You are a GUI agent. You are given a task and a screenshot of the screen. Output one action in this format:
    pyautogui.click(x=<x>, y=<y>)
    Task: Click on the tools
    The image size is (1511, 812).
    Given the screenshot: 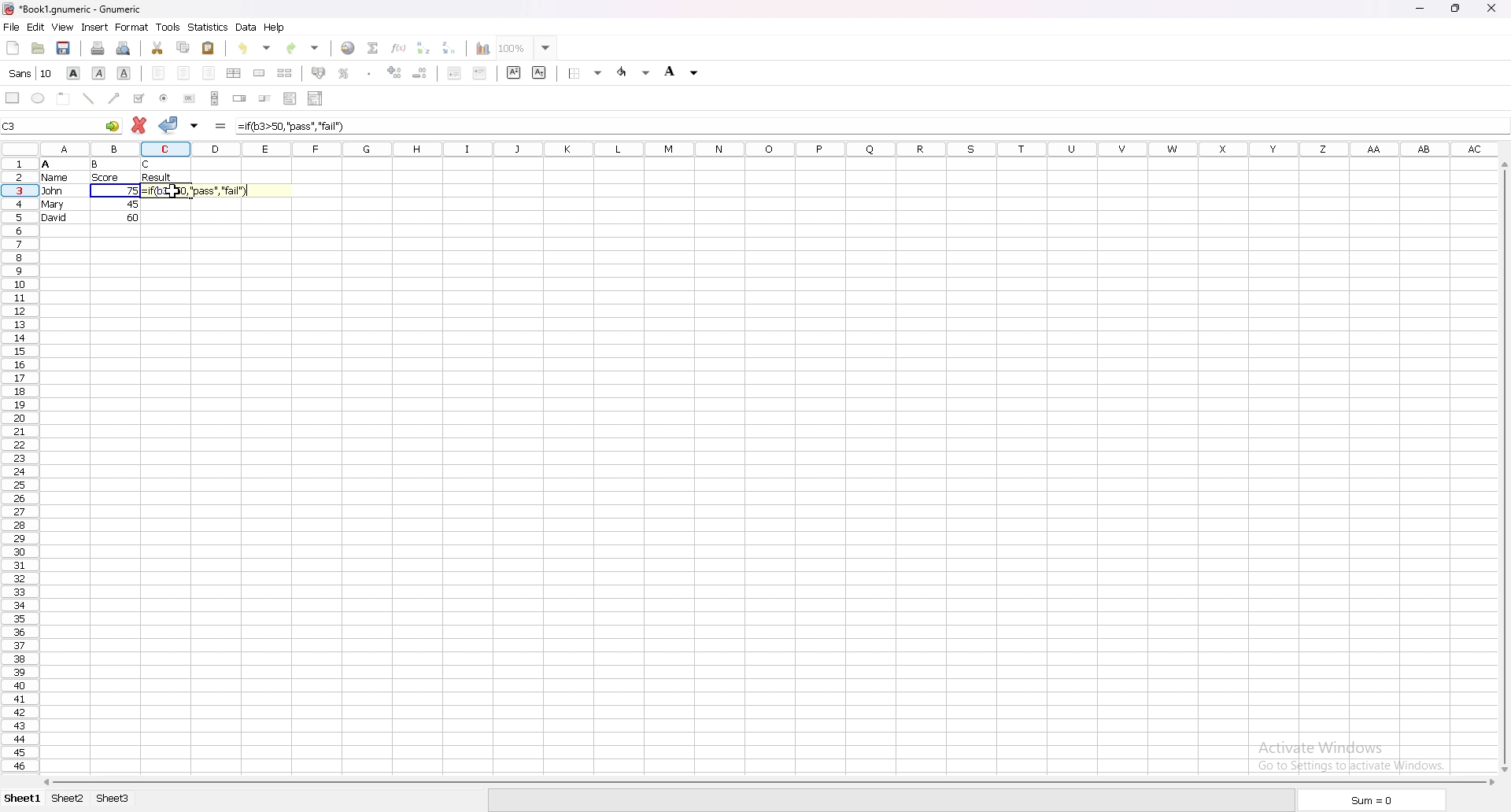 What is the action you would take?
    pyautogui.click(x=168, y=28)
    